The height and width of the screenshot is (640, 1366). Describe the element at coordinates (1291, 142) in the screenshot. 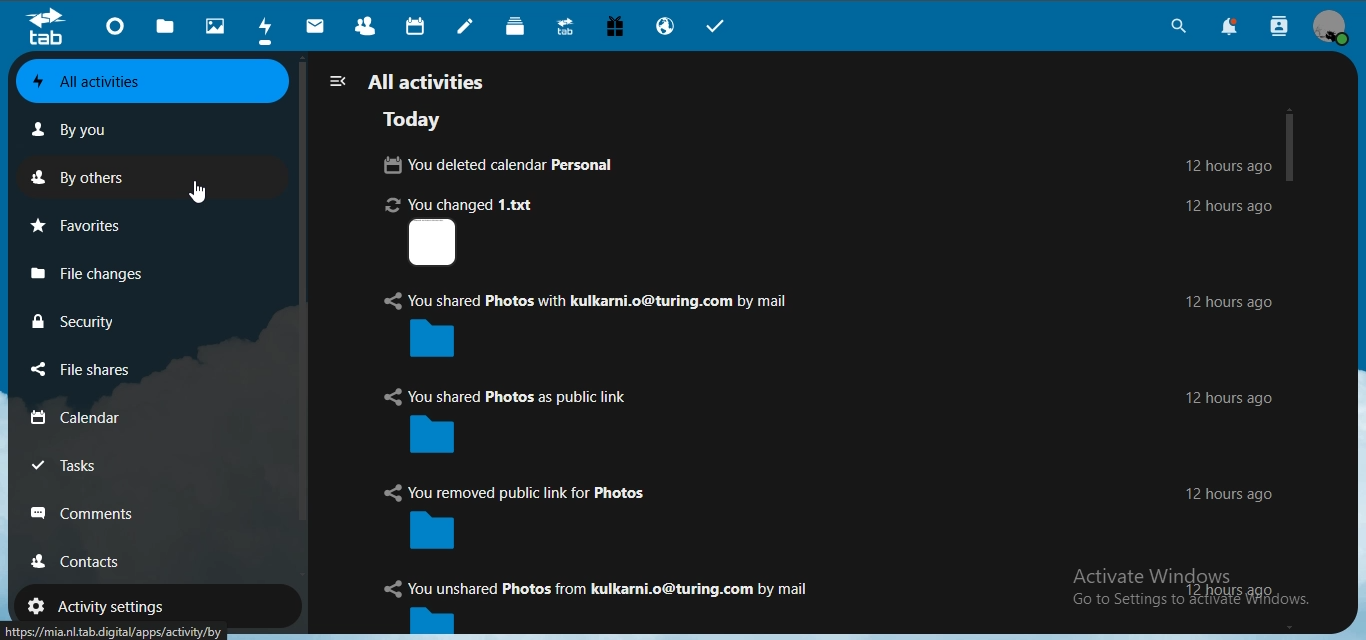

I see `scrollbar` at that location.